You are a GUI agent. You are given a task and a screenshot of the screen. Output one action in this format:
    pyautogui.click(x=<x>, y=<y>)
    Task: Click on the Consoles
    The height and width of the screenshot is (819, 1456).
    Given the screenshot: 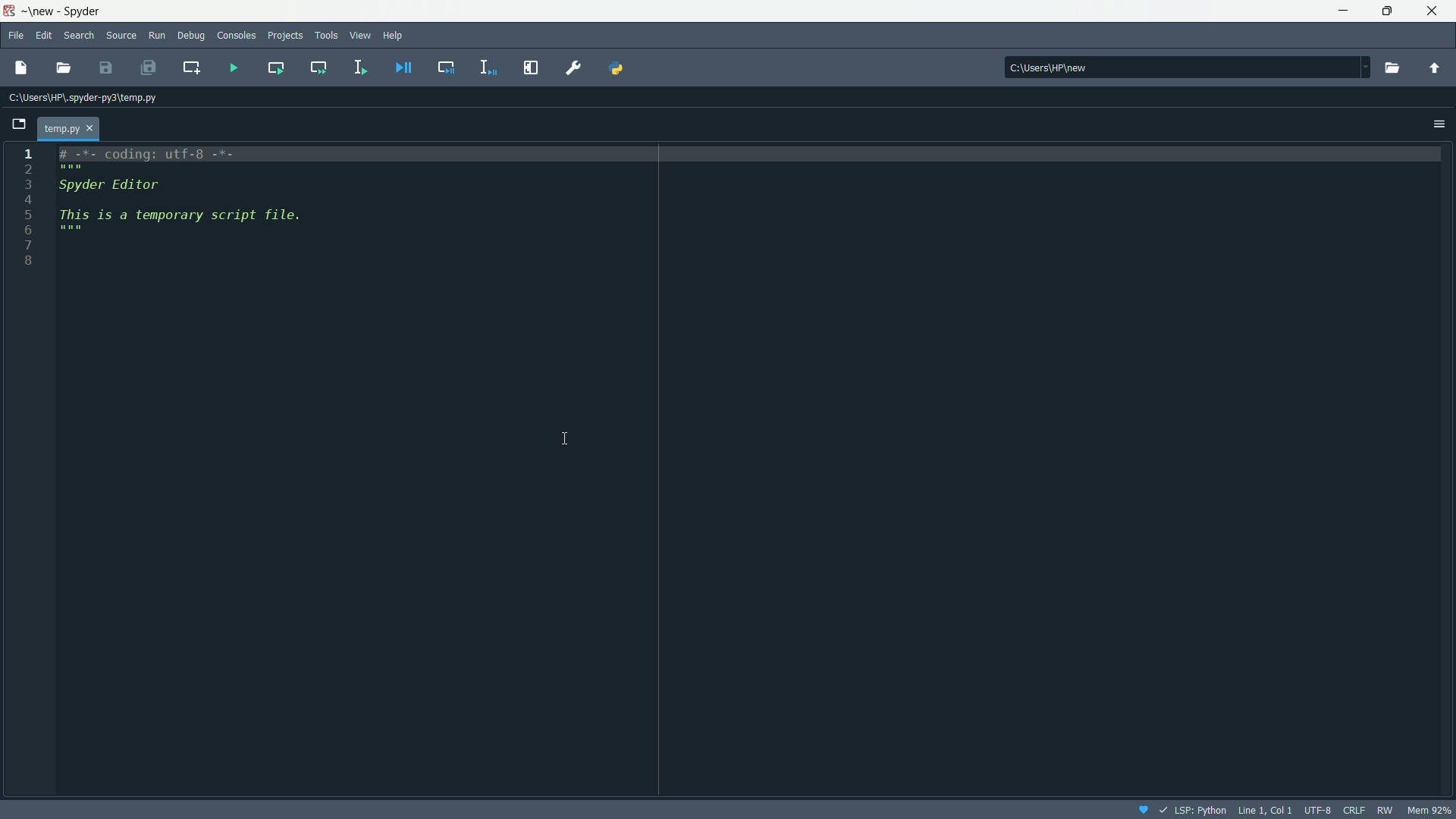 What is the action you would take?
    pyautogui.click(x=235, y=34)
    